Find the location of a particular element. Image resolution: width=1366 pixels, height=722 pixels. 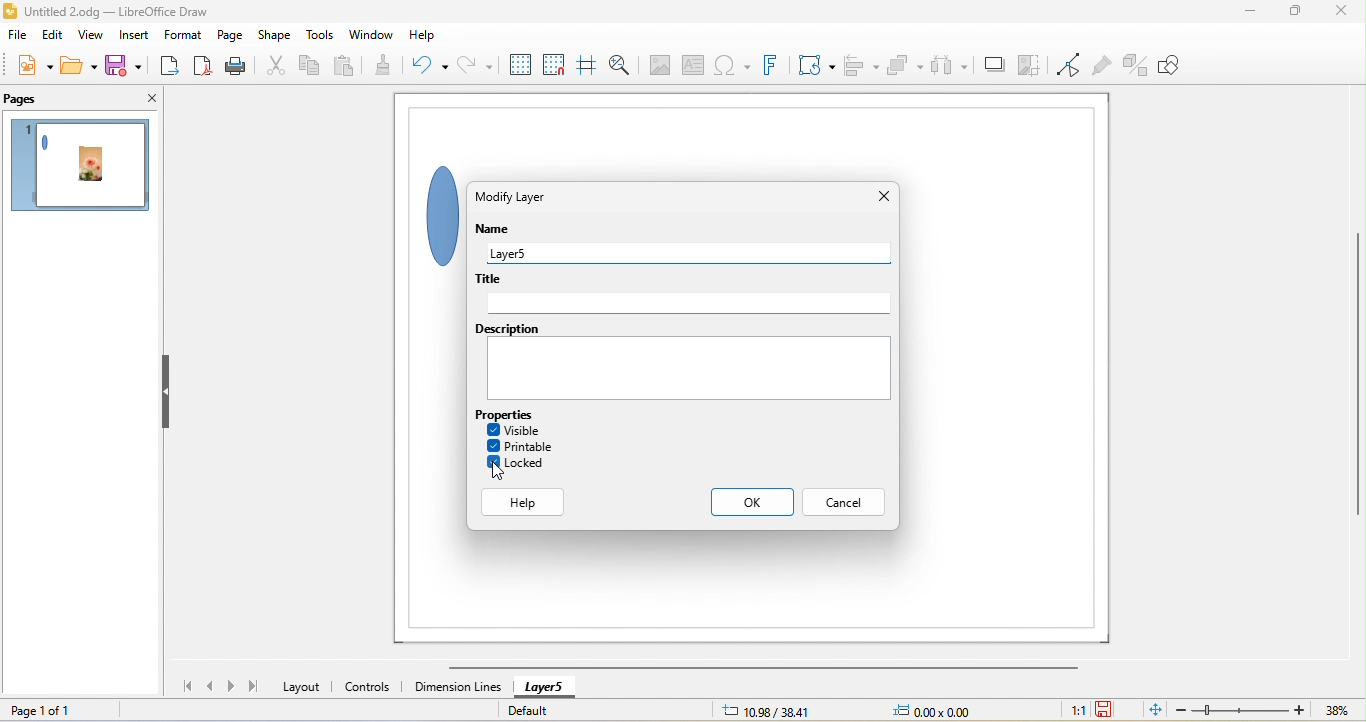

show draw function  is located at coordinates (1173, 63).